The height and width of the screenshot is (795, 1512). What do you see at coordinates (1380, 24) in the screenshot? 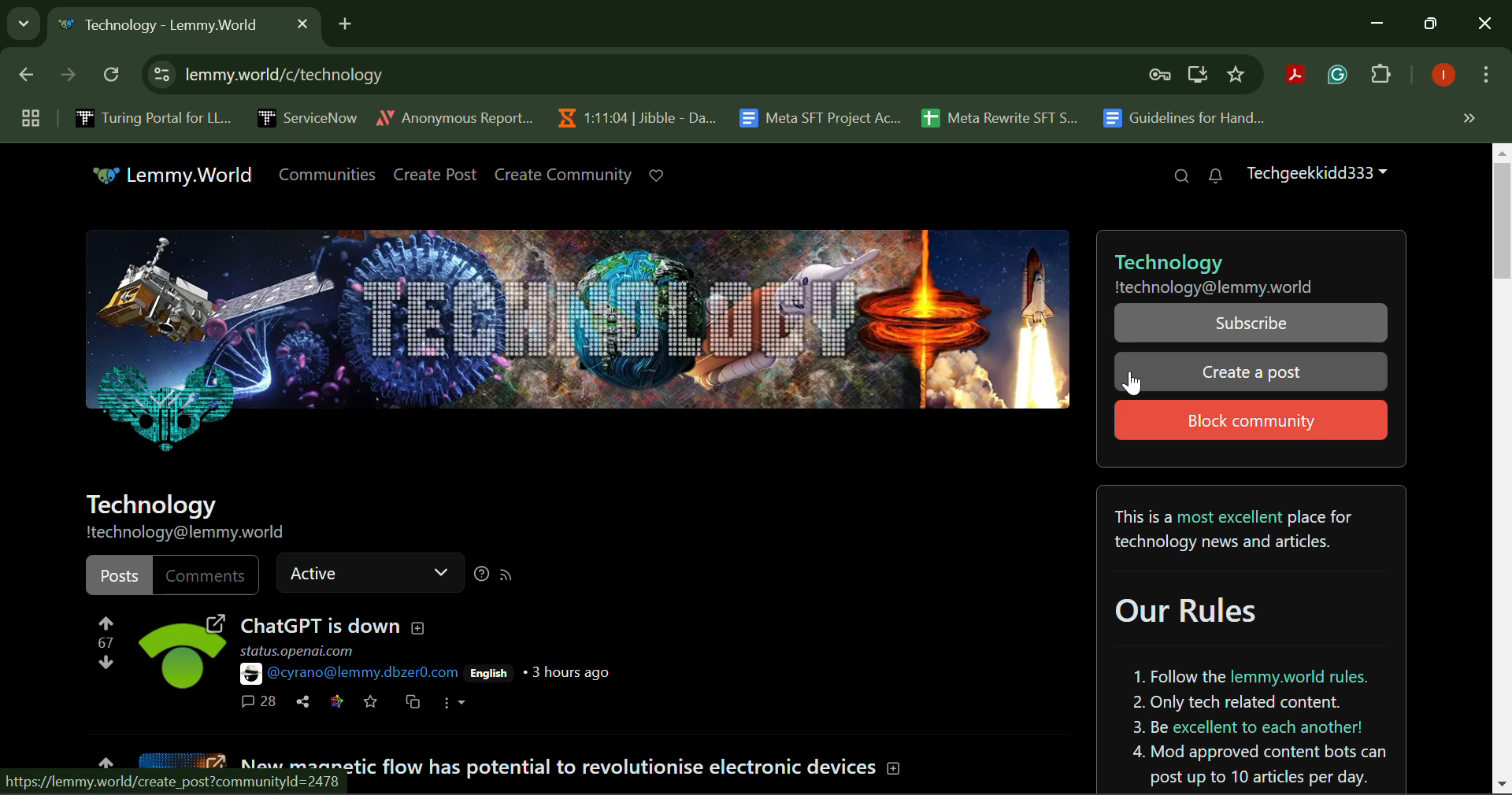
I see `Minimize Down` at bounding box center [1380, 24].